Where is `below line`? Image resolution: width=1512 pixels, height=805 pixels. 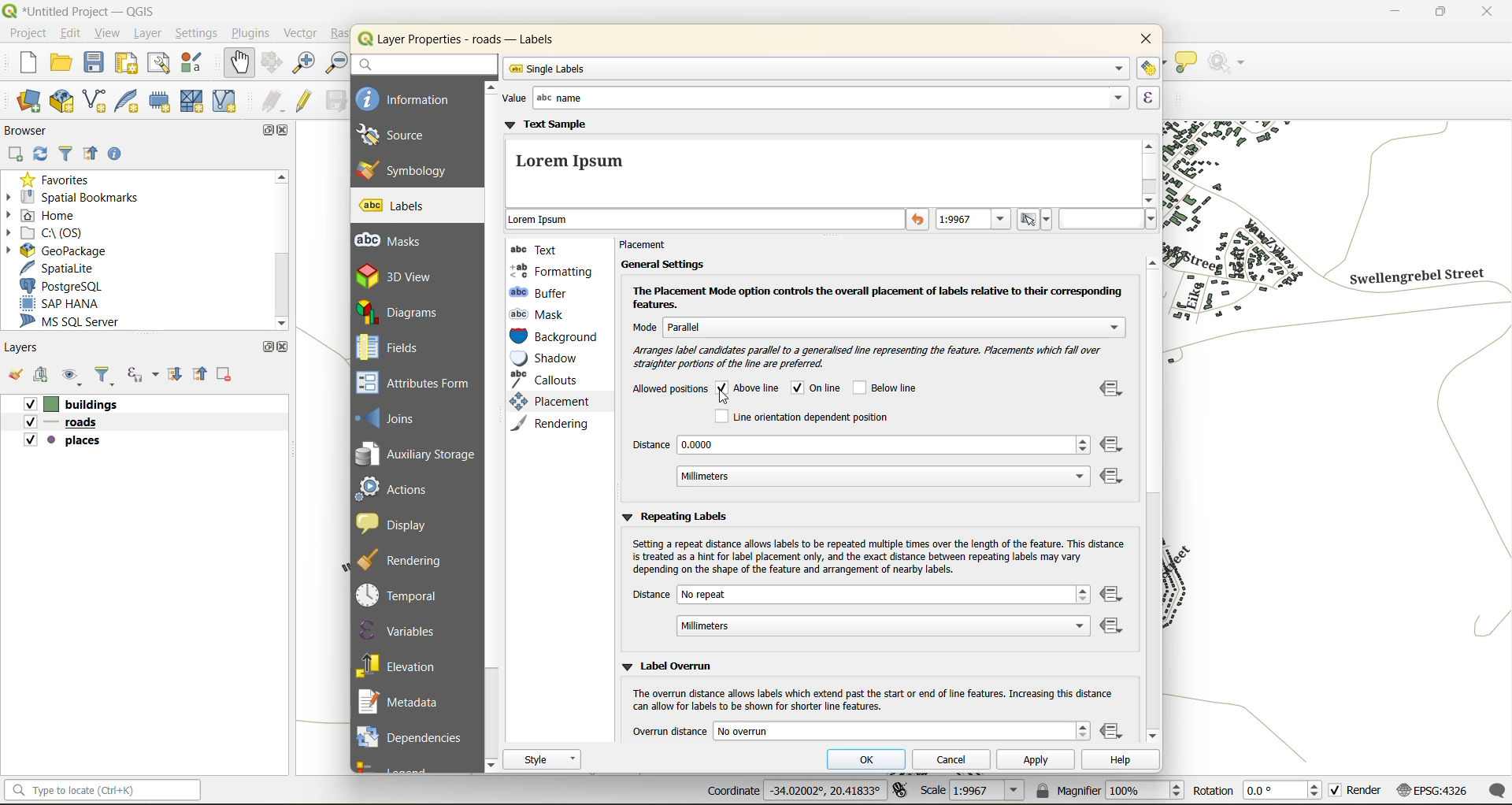 below line is located at coordinates (891, 388).